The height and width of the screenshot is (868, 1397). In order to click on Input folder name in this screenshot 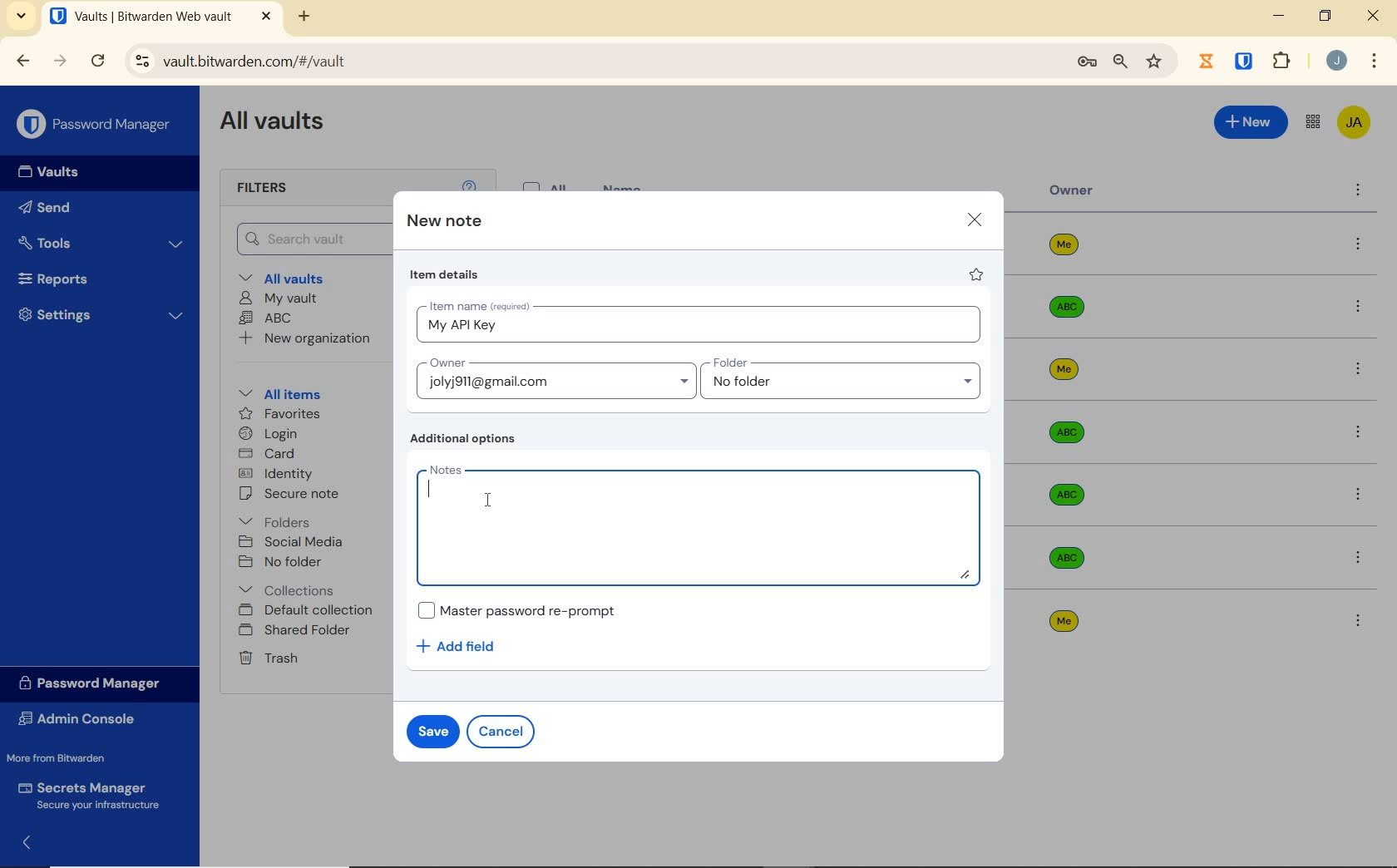, I will do `click(844, 379)`.